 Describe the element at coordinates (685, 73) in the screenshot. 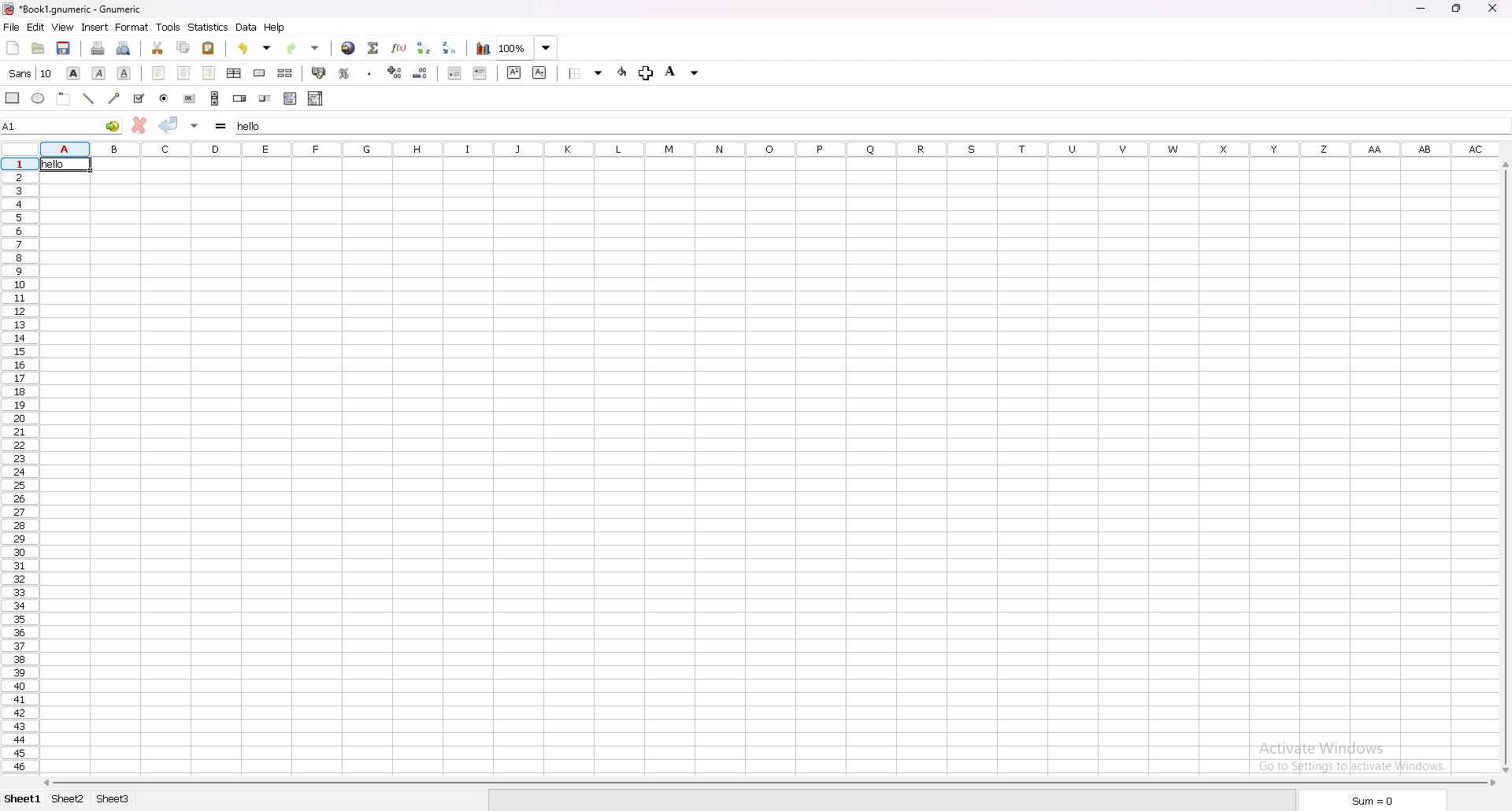

I see `background` at that location.